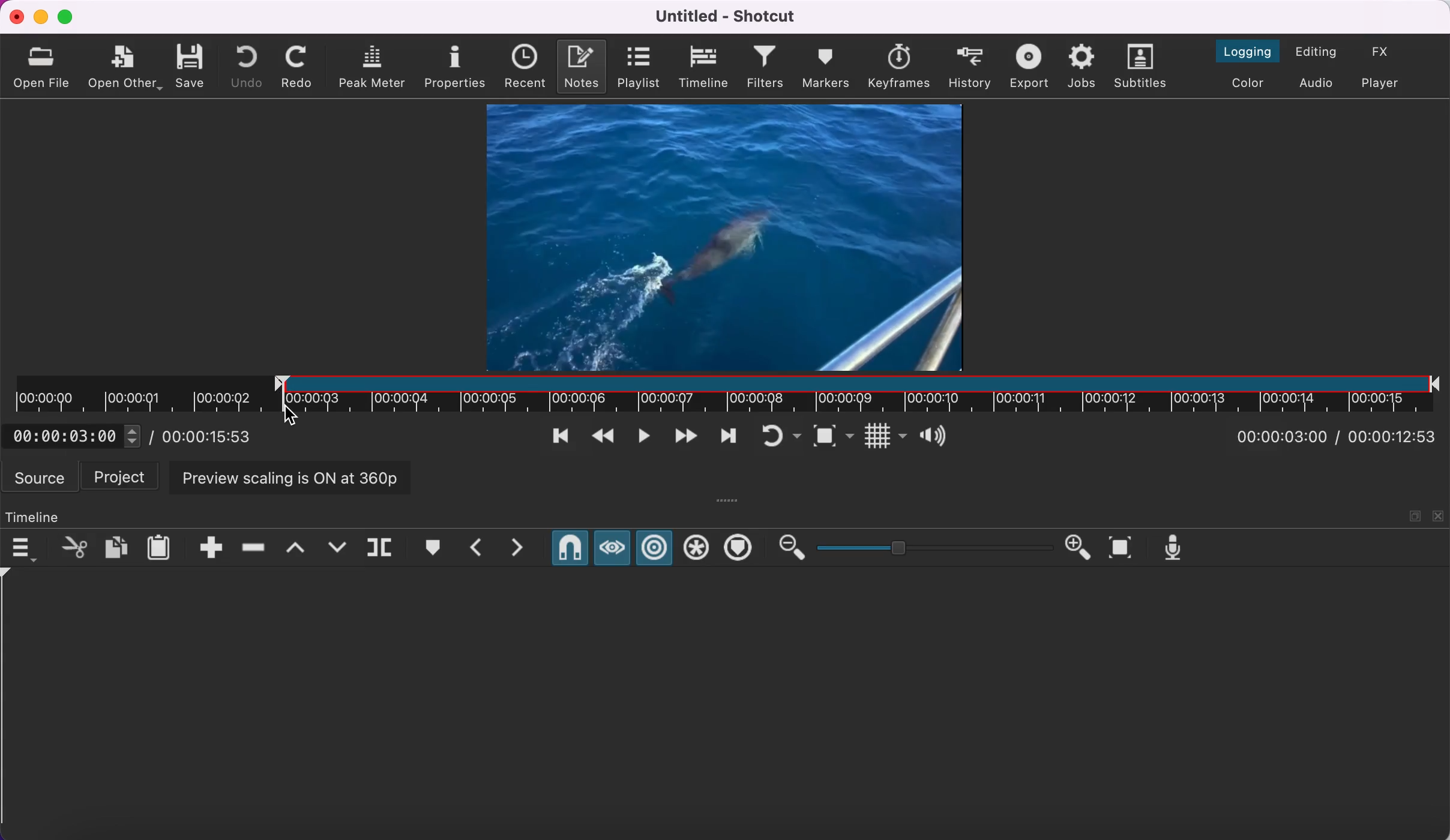 The image size is (1450, 840). I want to click on preview scaling is on at 360p, so click(290, 479).